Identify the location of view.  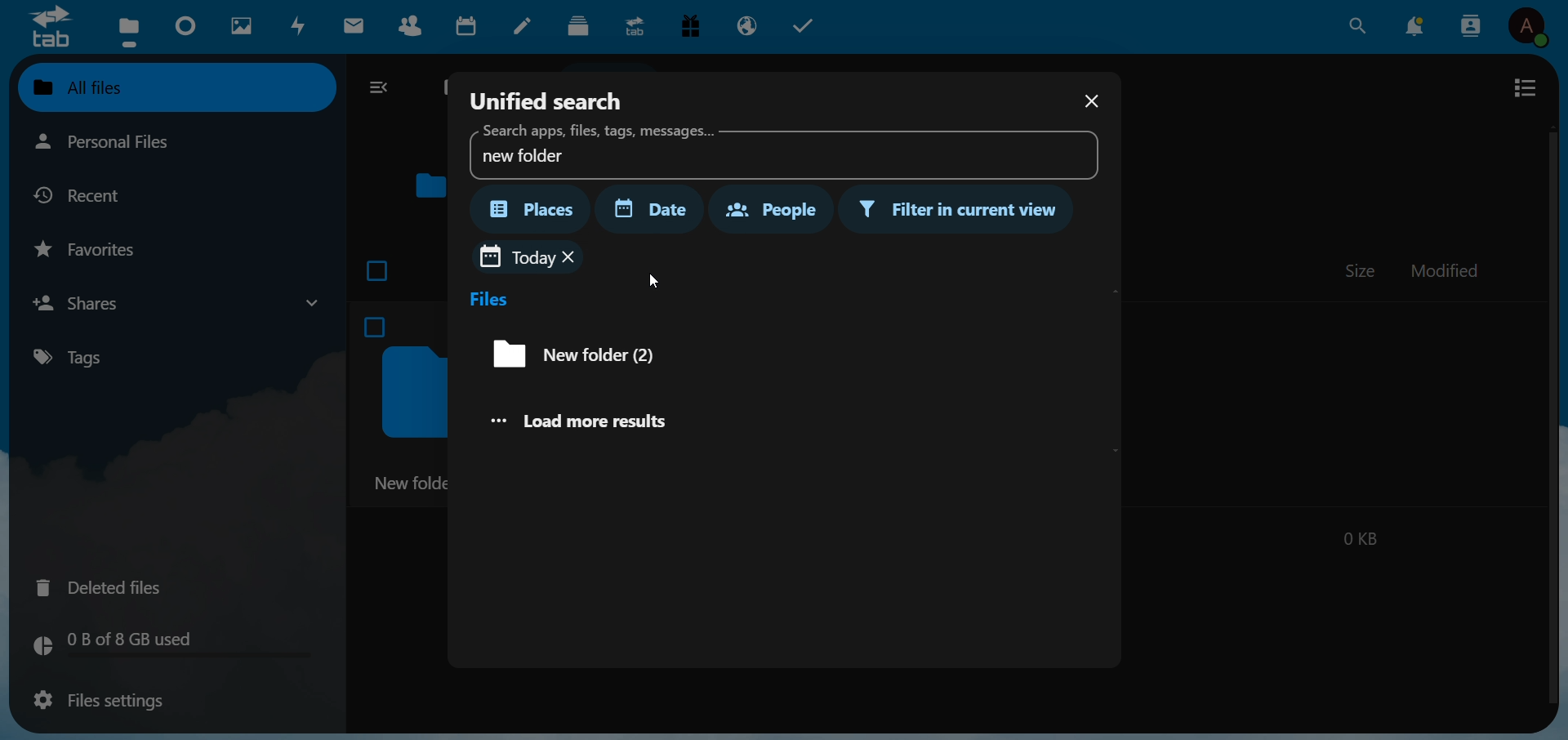
(1525, 87).